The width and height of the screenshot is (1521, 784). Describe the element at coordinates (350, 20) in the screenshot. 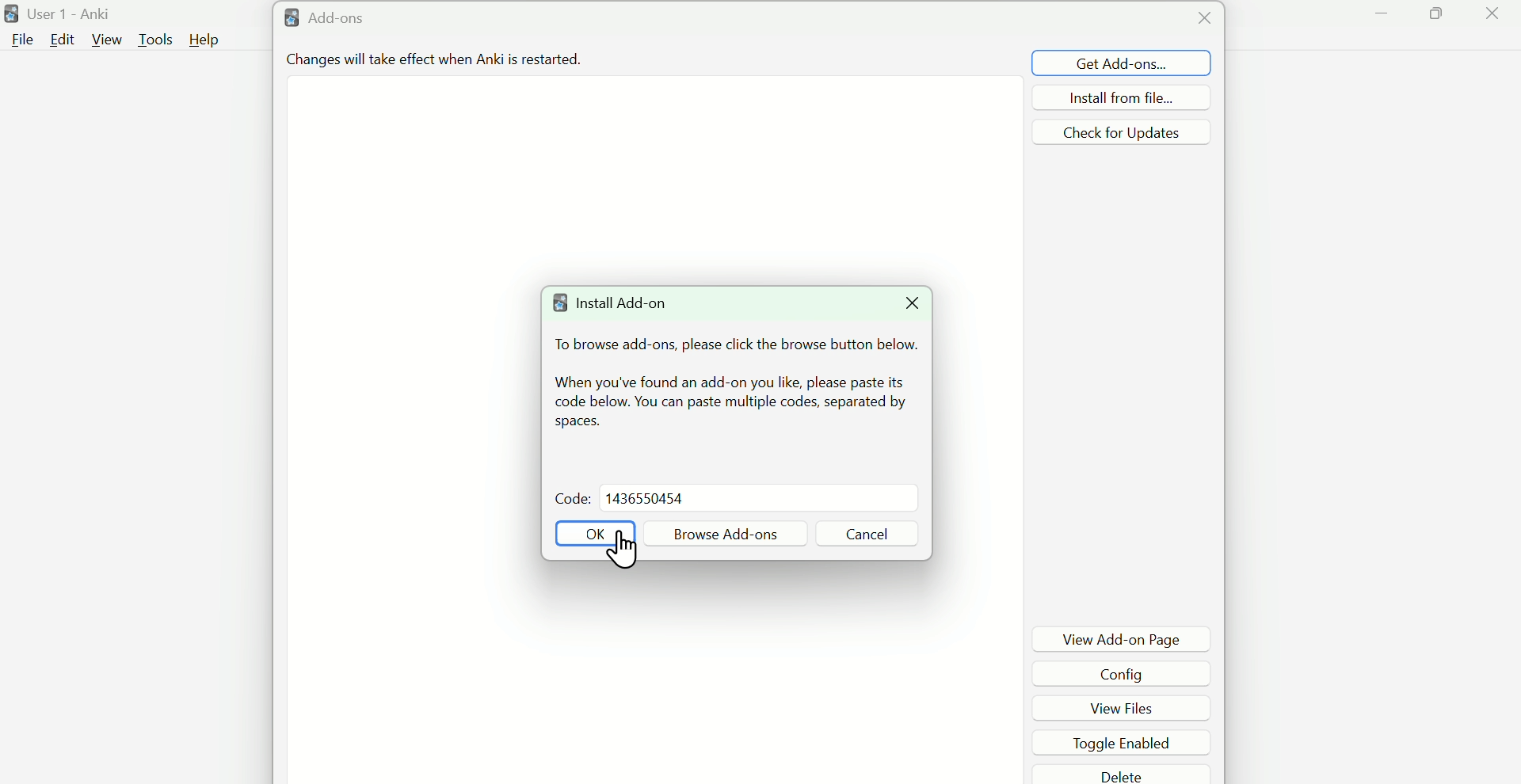

I see `& Add-ons` at that location.